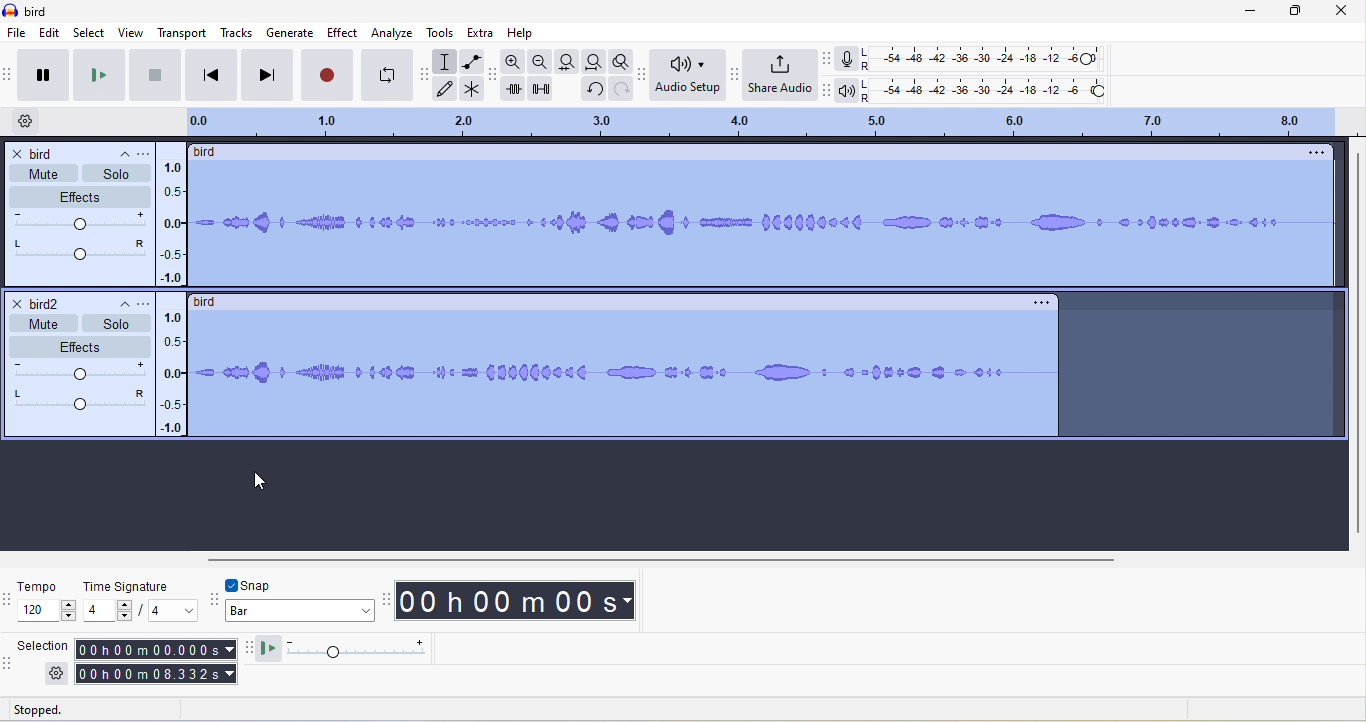 The width and height of the screenshot is (1366, 722). Describe the element at coordinates (213, 602) in the screenshot. I see `audacity snapping toolbar` at that location.